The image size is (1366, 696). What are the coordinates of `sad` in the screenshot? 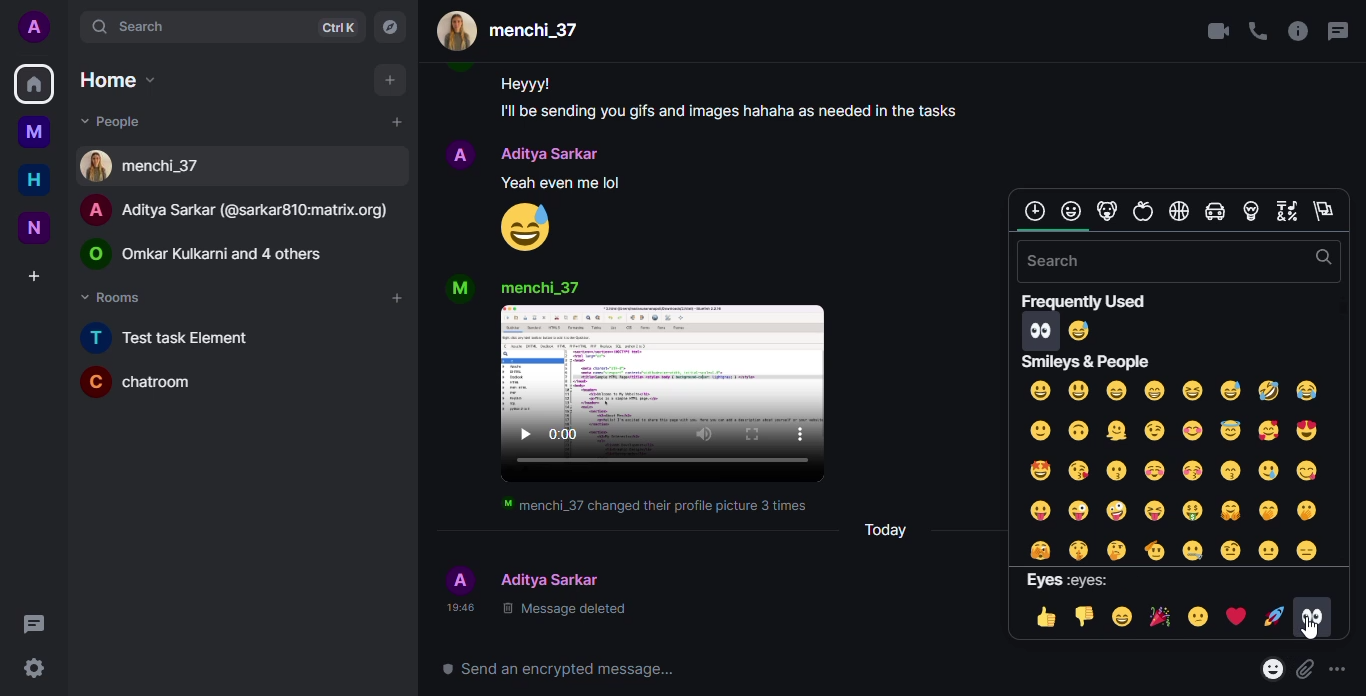 It's located at (1194, 617).